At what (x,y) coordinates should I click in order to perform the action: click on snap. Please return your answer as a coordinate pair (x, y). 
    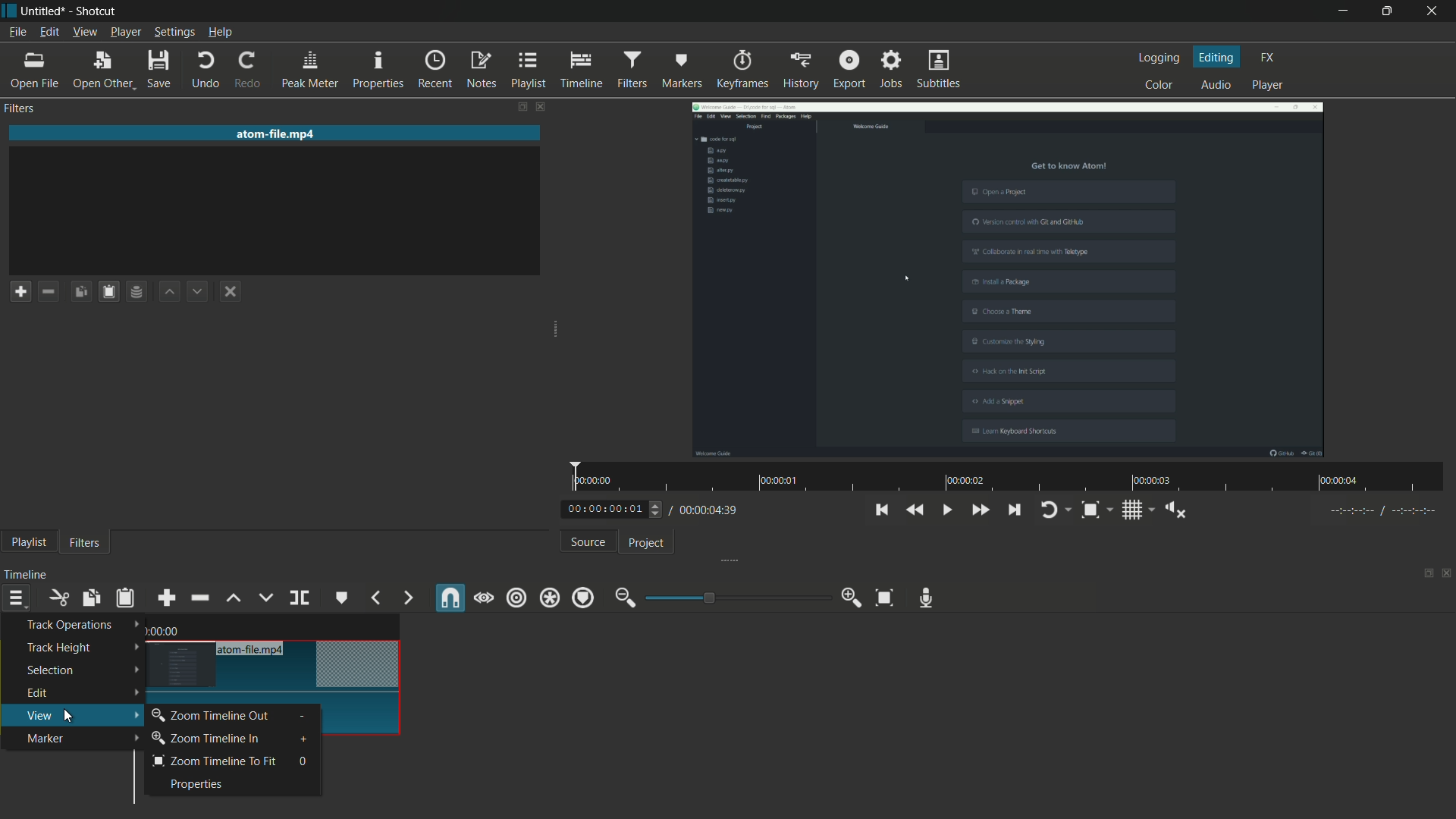
    Looking at the image, I should click on (447, 598).